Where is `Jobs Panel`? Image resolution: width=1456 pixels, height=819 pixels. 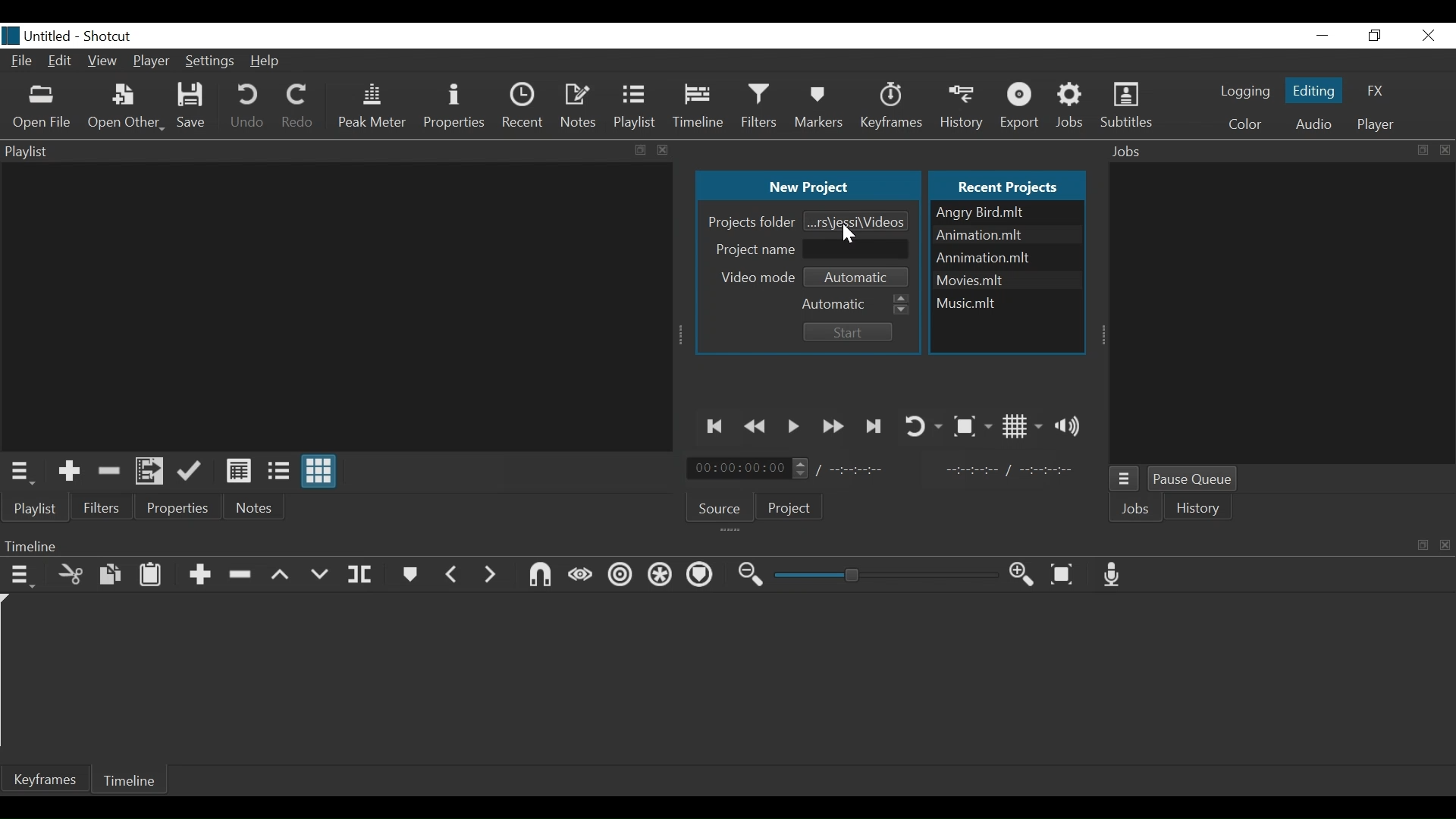
Jobs Panel is located at coordinates (1280, 151).